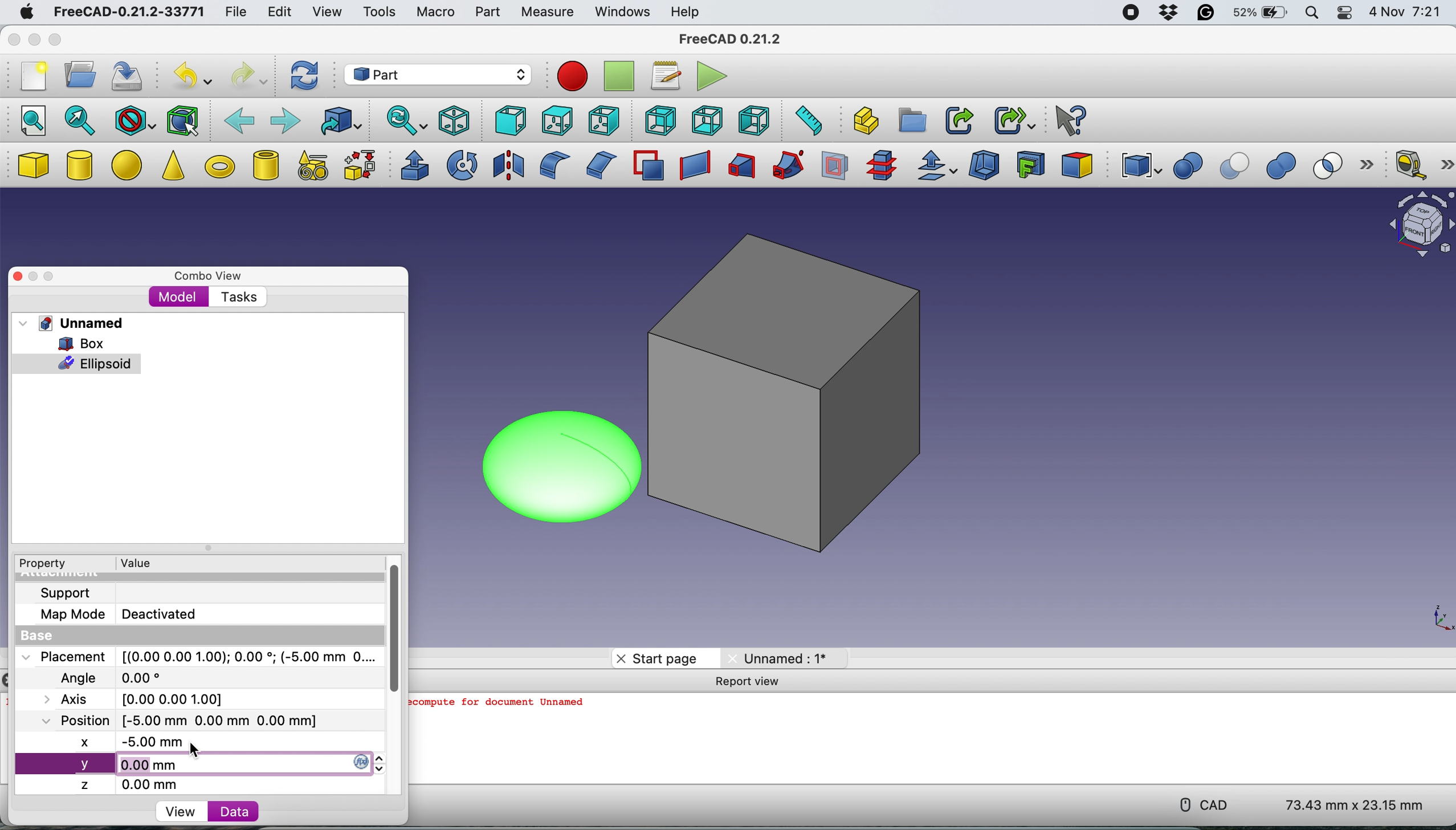 Image resolution: width=1456 pixels, height=830 pixels. Describe the element at coordinates (248, 76) in the screenshot. I see `redo` at that location.